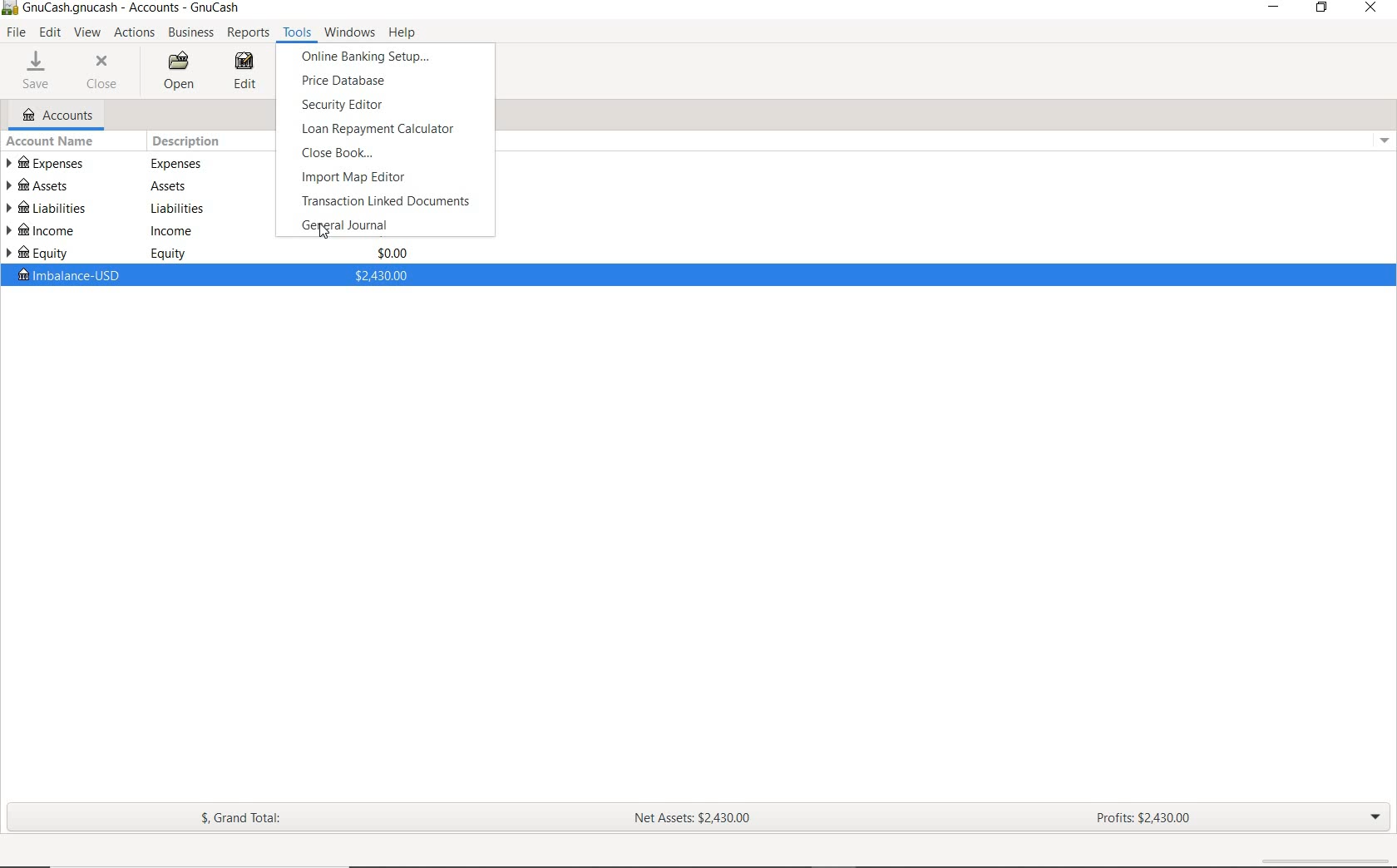 The height and width of the screenshot is (868, 1397). Describe the element at coordinates (1276, 10) in the screenshot. I see `MINIMIZE` at that location.